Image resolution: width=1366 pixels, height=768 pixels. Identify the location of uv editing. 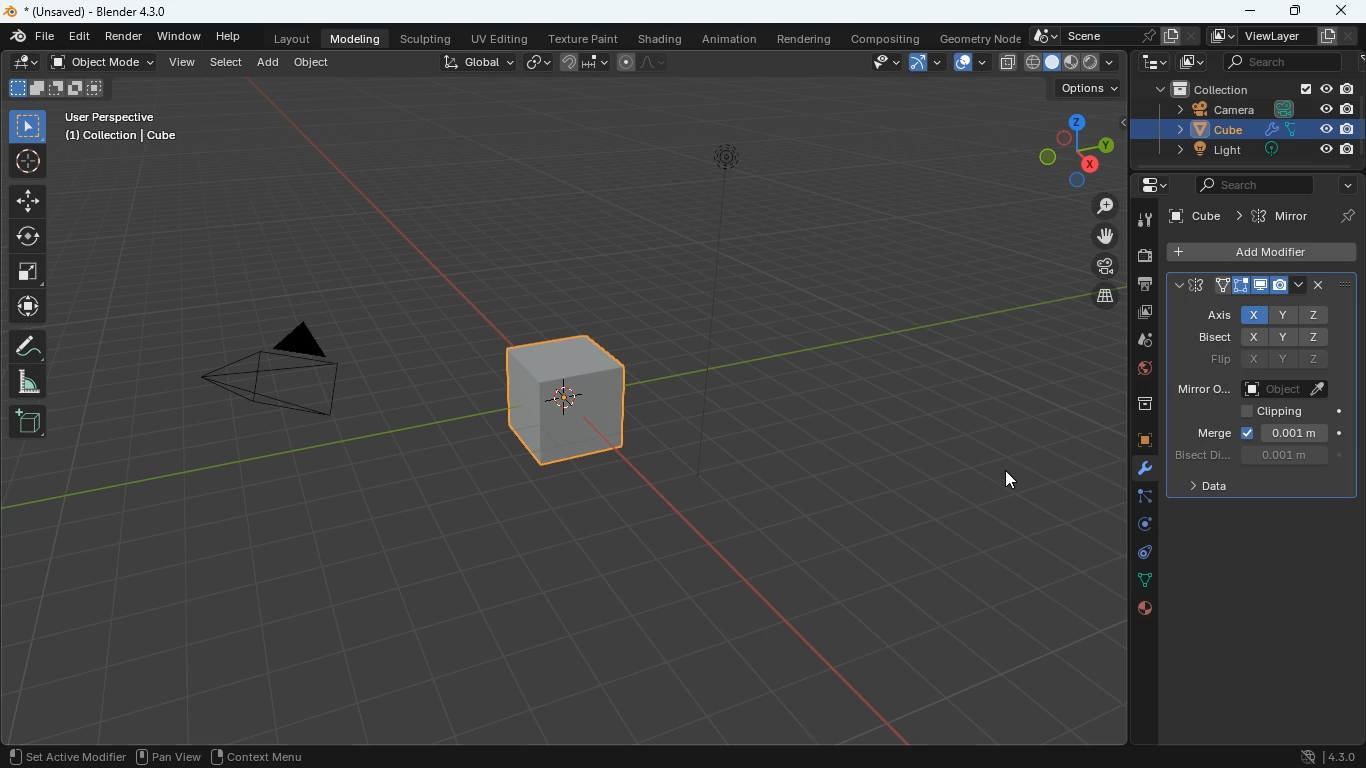
(498, 37).